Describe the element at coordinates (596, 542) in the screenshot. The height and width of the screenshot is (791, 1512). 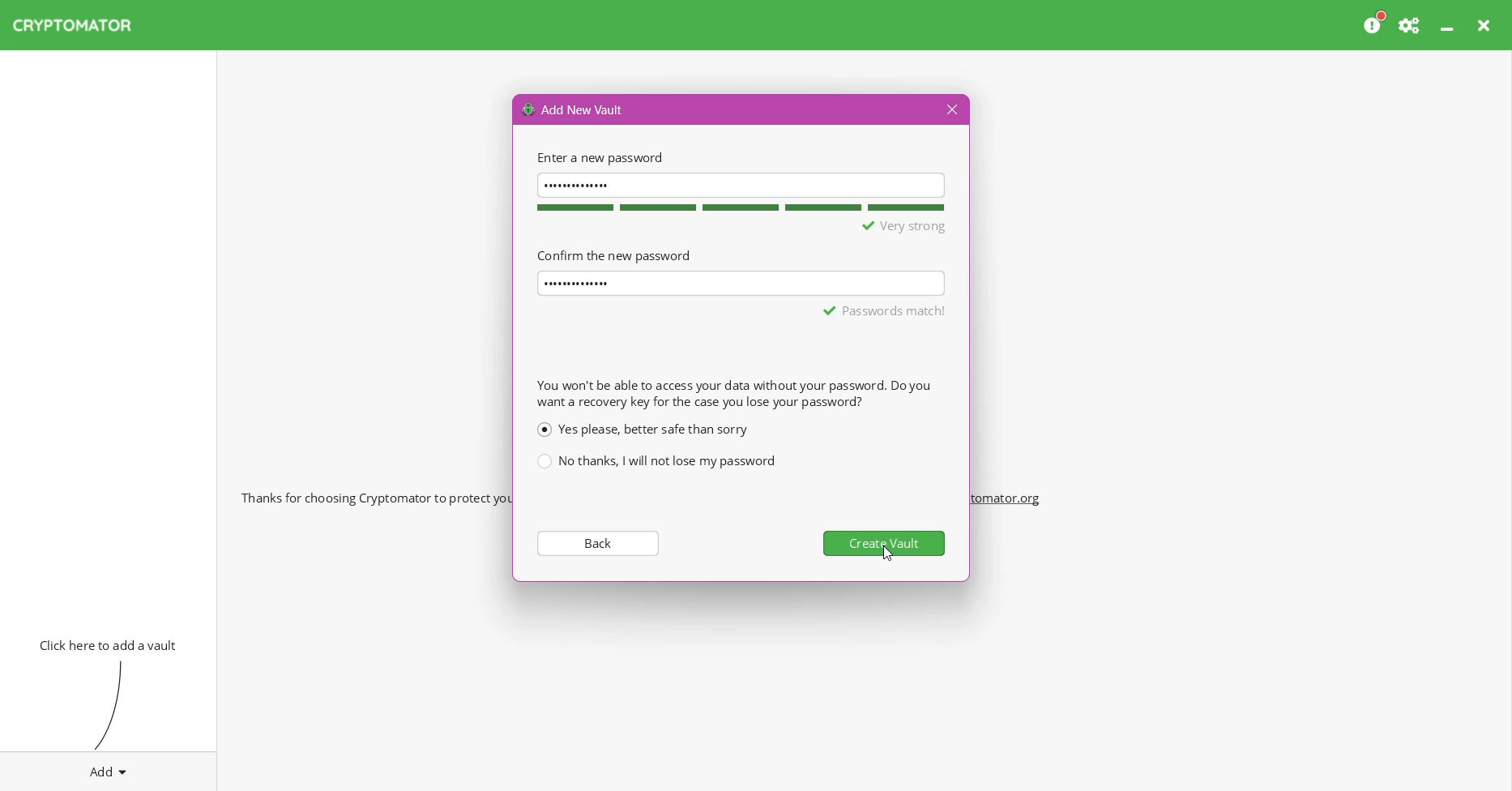
I see `Back` at that location.